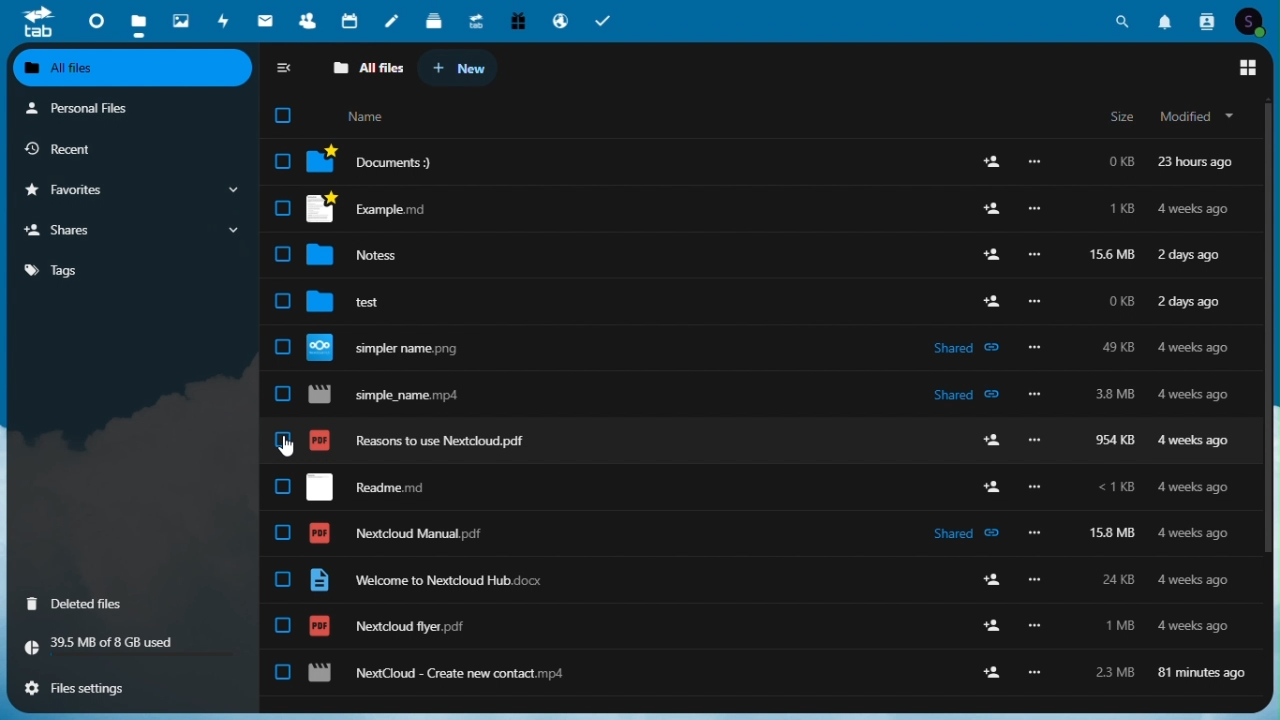 The height and width of the screenshot is (720, 1280). What do you see at coordinates (382, 209) in the screenshot?
I see `example.md` at bounding box center [382, 209].